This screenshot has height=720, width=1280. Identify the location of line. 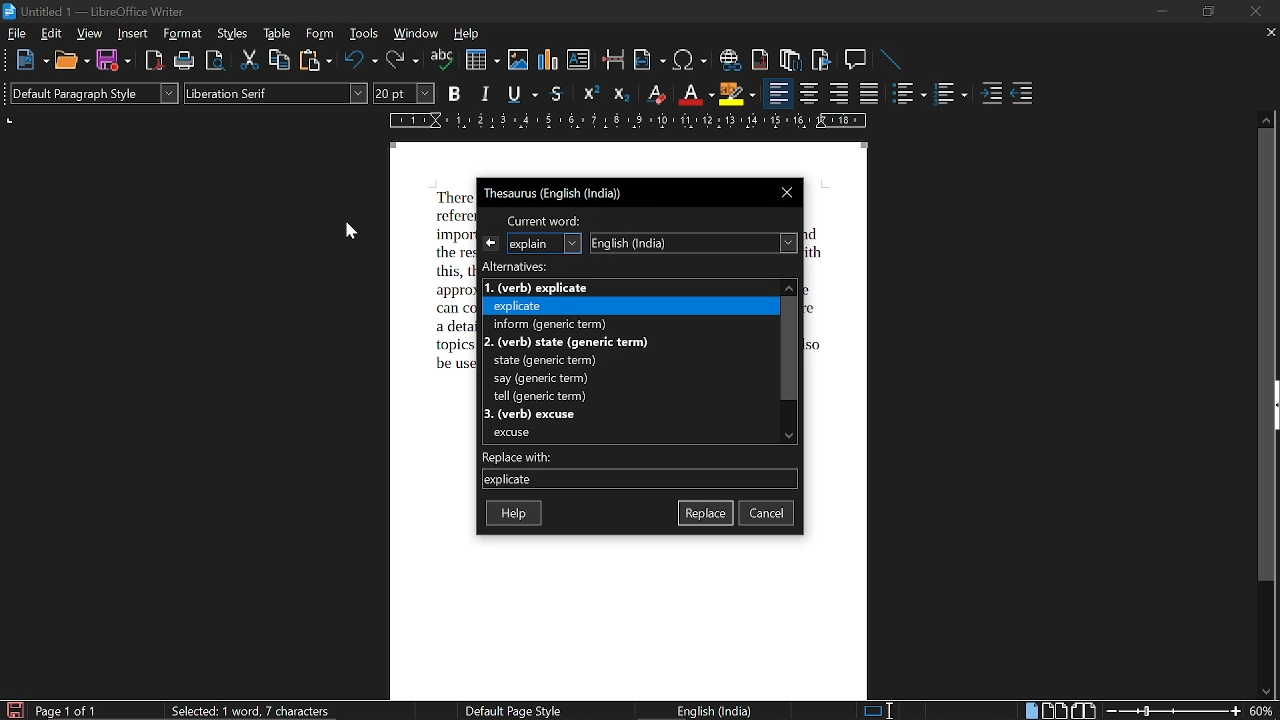
(890, 59).